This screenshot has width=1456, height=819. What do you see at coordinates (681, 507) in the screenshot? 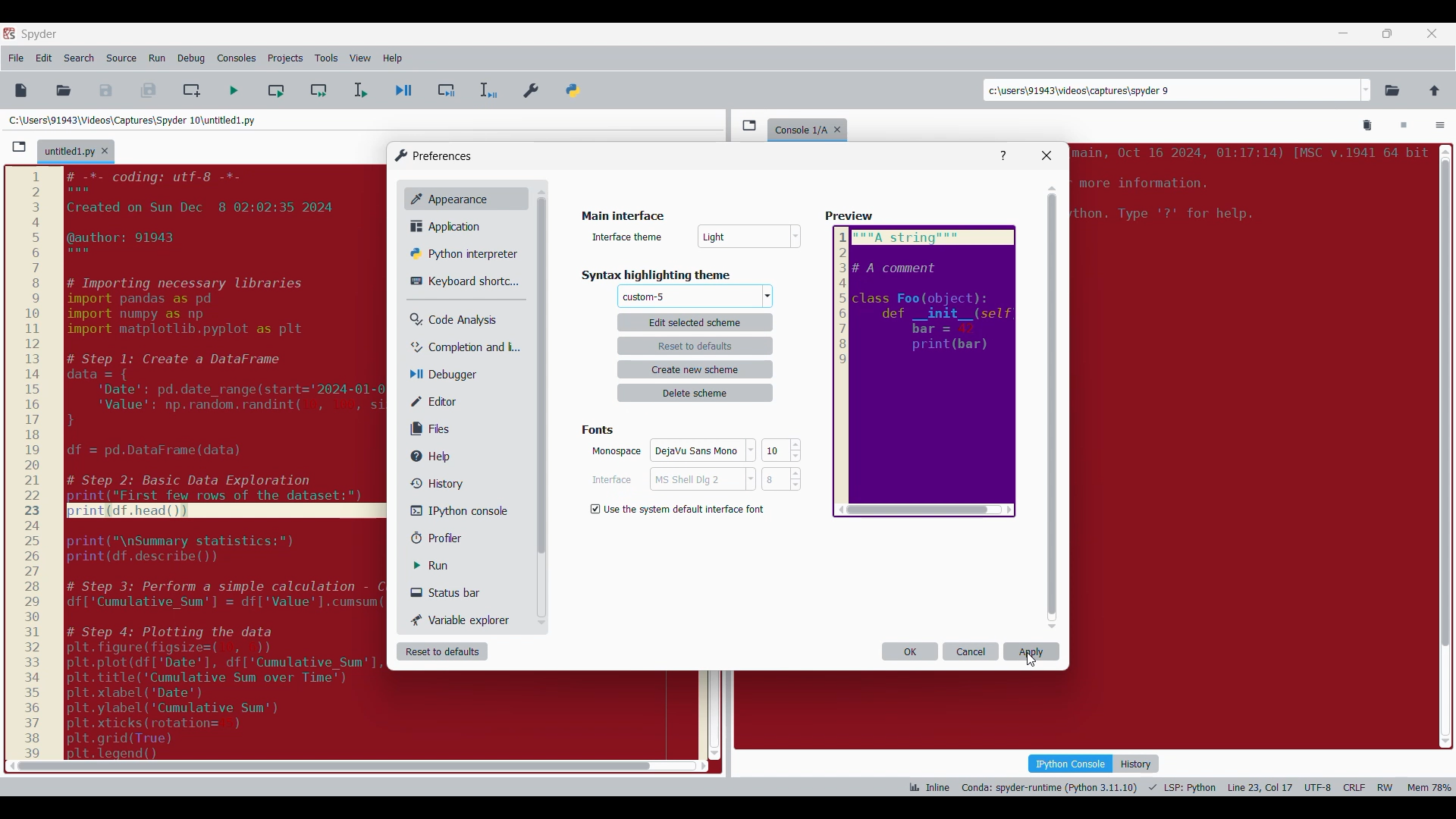
I see `Setting options under Background` at bounding box center [681, 507].